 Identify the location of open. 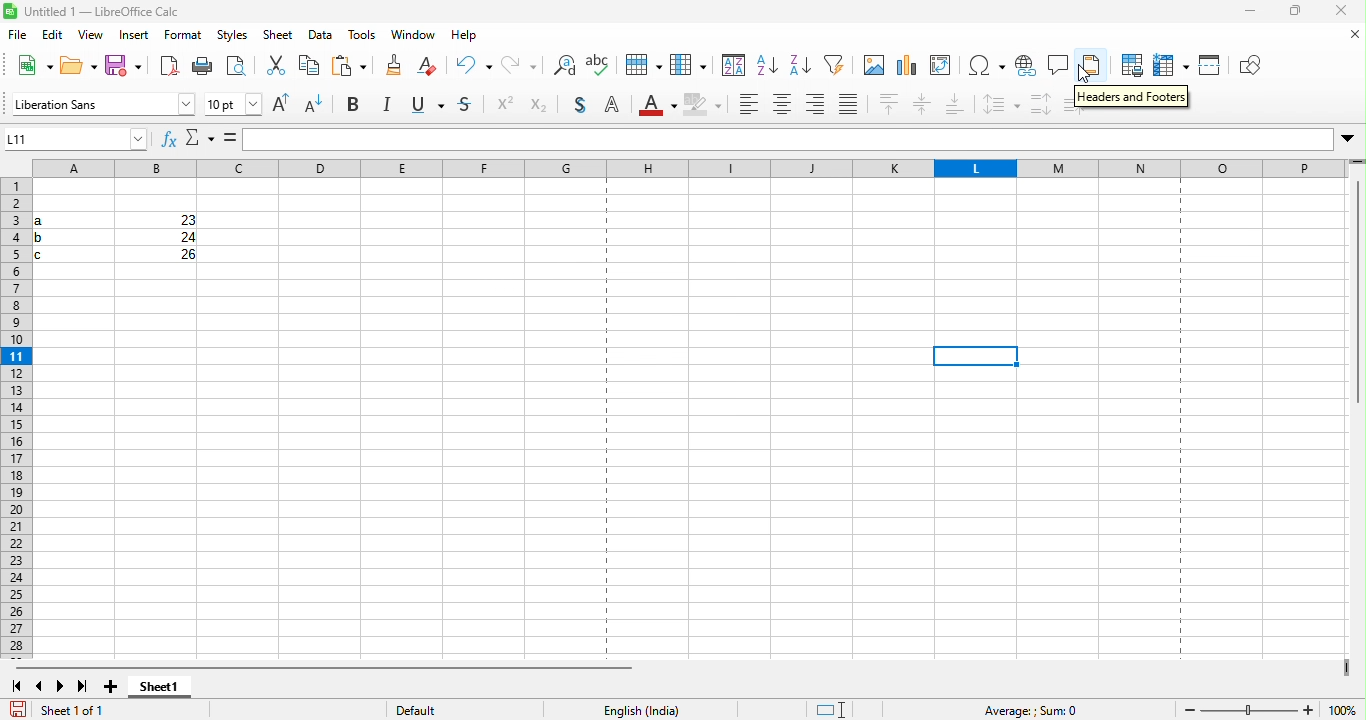
(78, 67).